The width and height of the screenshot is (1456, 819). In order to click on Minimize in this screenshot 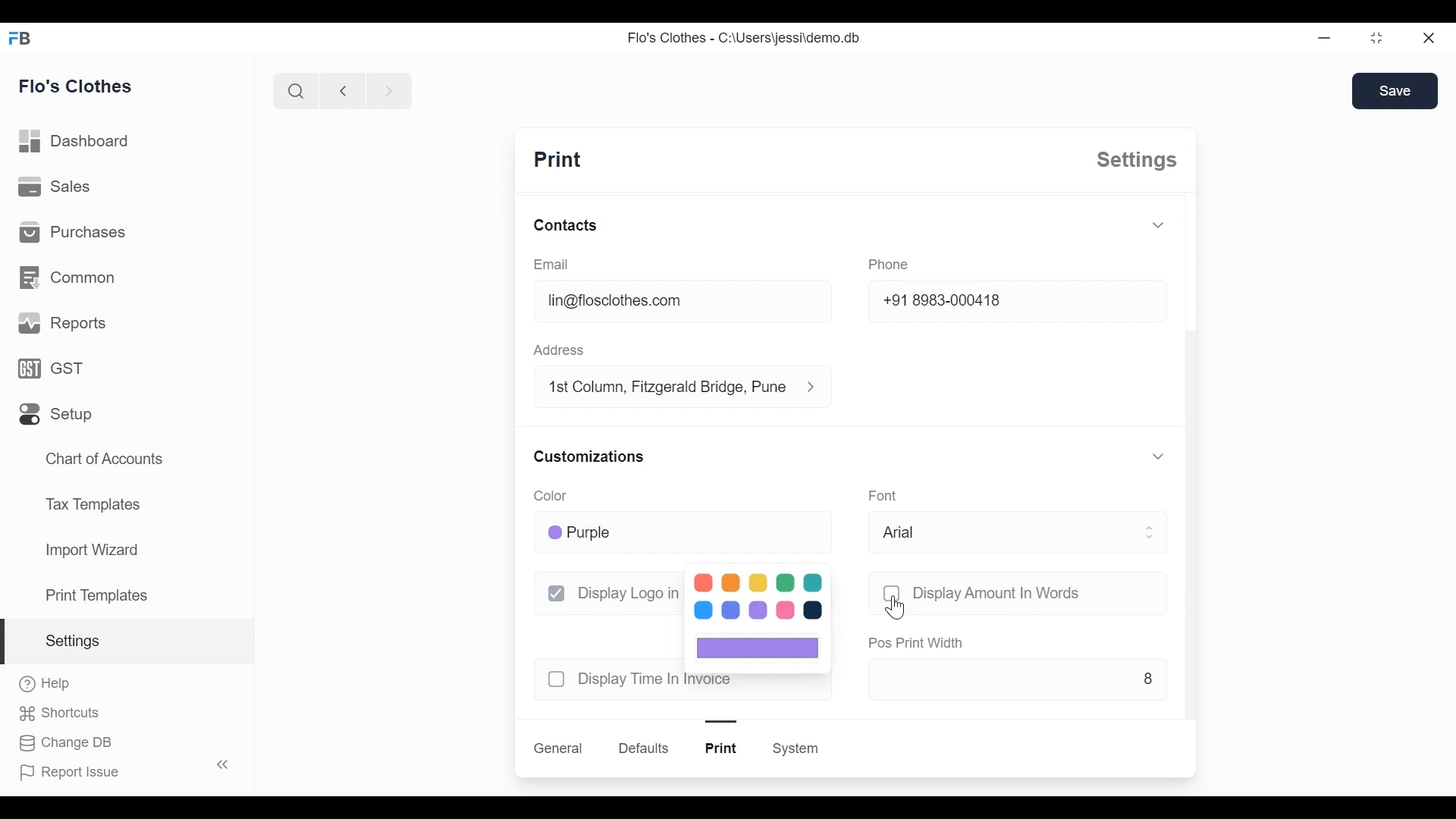, I will do `click(1322, 37)`.